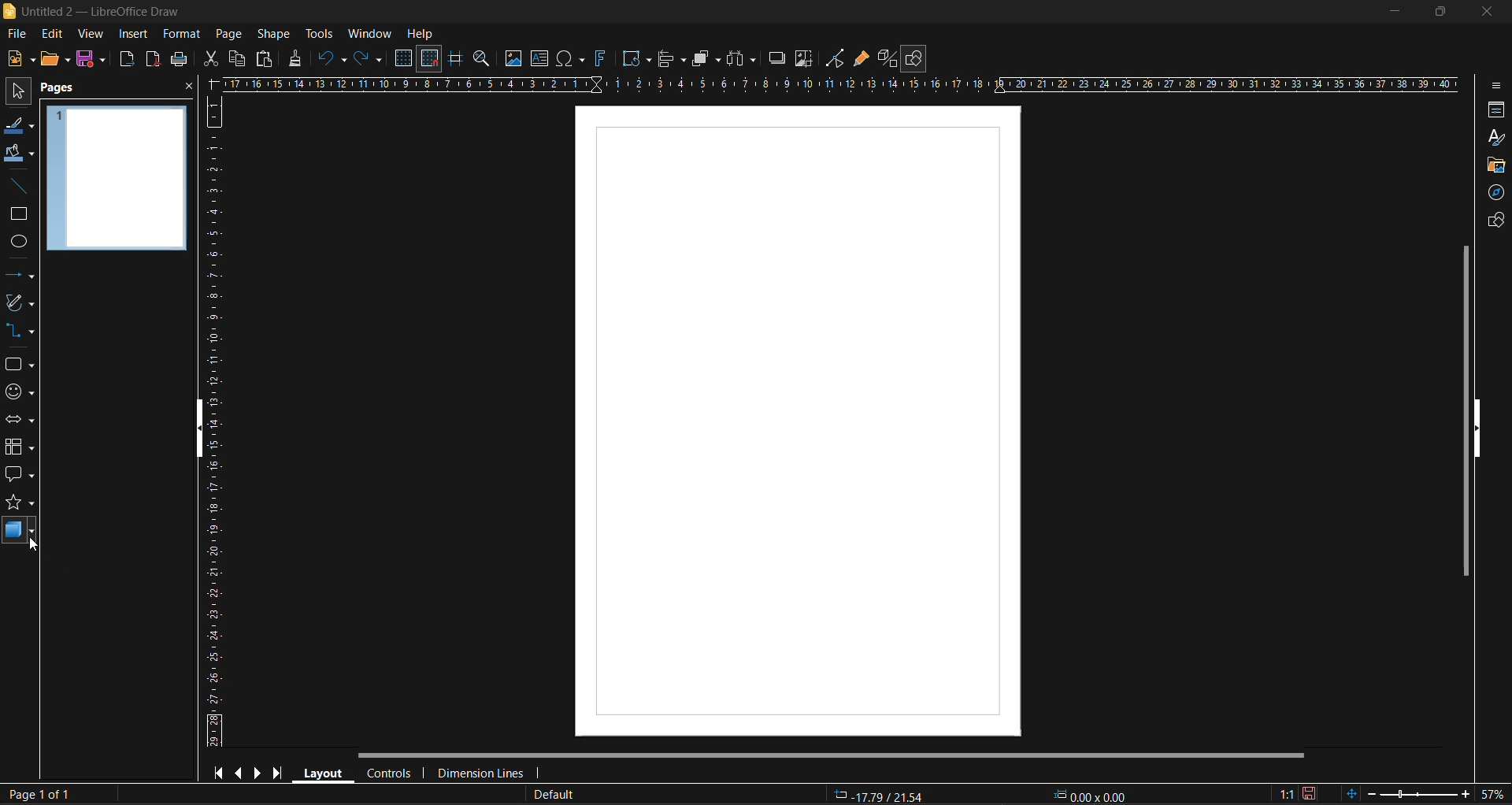 Image resolution: width=1512 pixels, height=805 pixels. I want to click on paste, so click(262, 61).